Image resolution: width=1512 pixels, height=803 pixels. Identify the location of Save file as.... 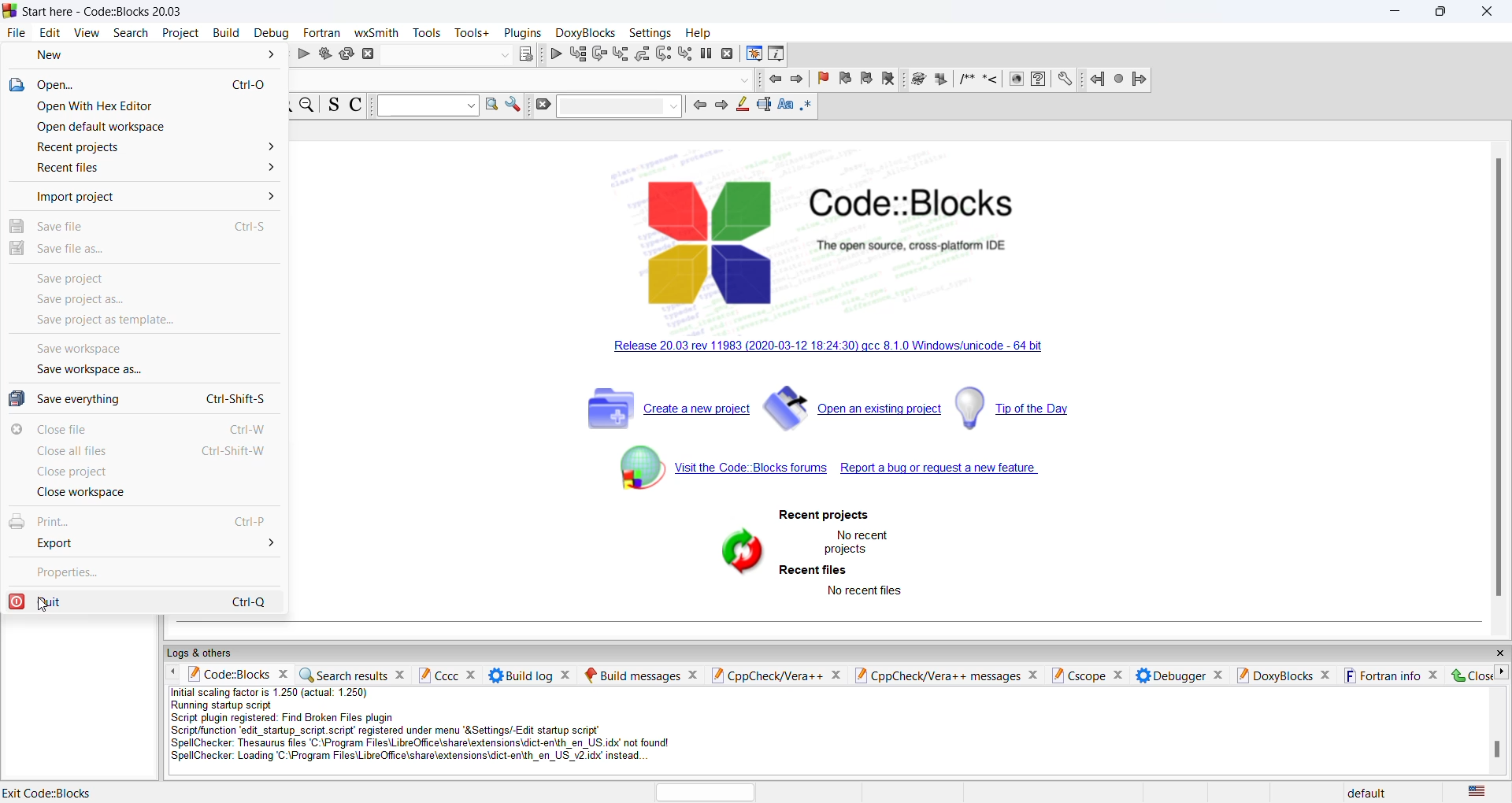
(73, 249).